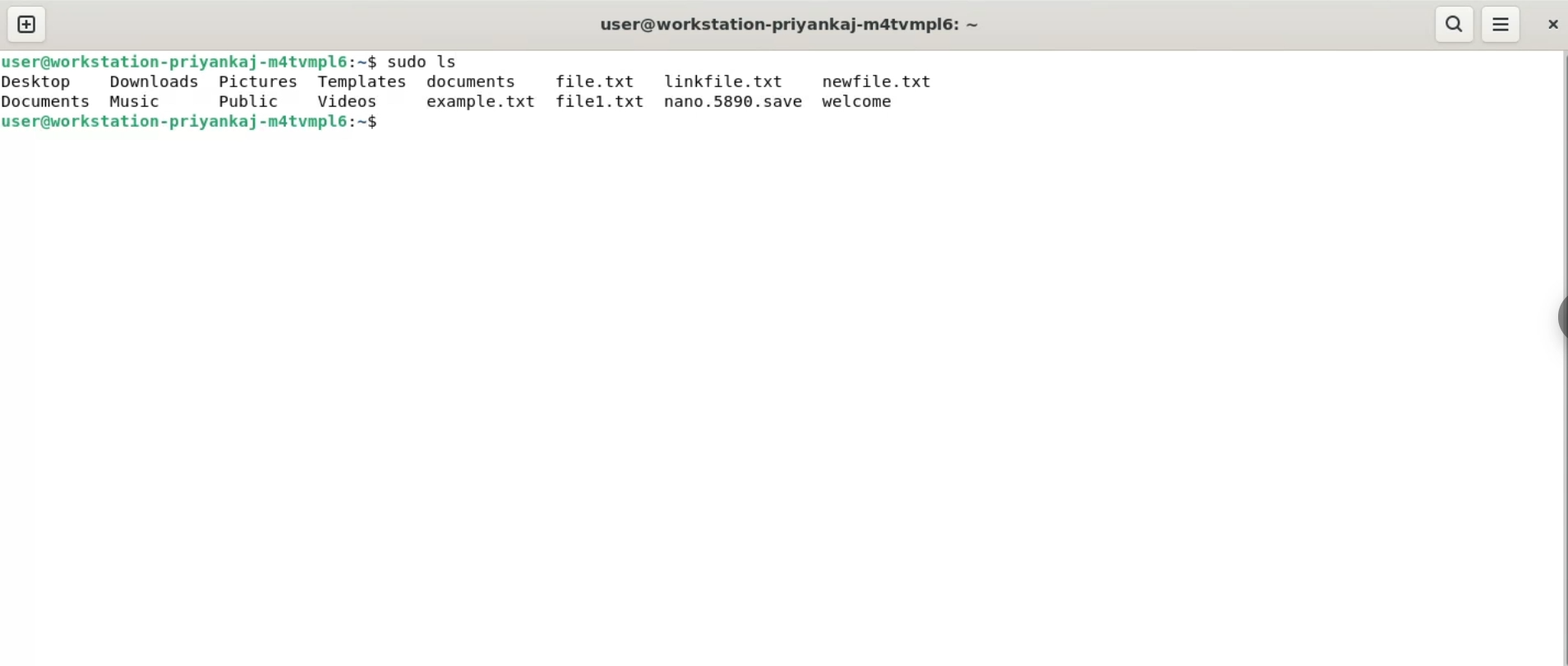  Describe the element at coordinates (428, 62) in the screenshot. I see `command` at that location.